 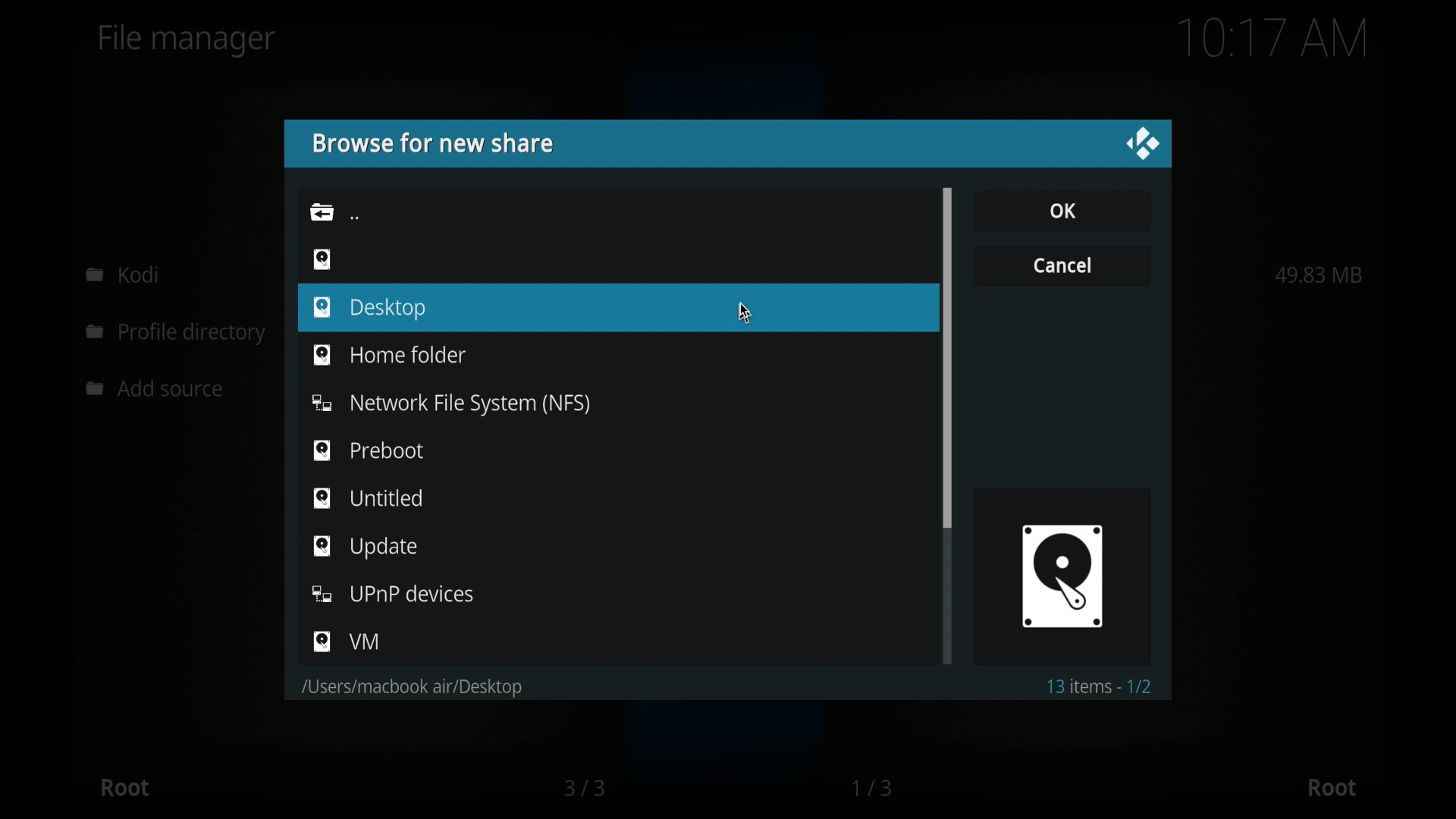 I want to click on folder, so click(x=409, y=688).